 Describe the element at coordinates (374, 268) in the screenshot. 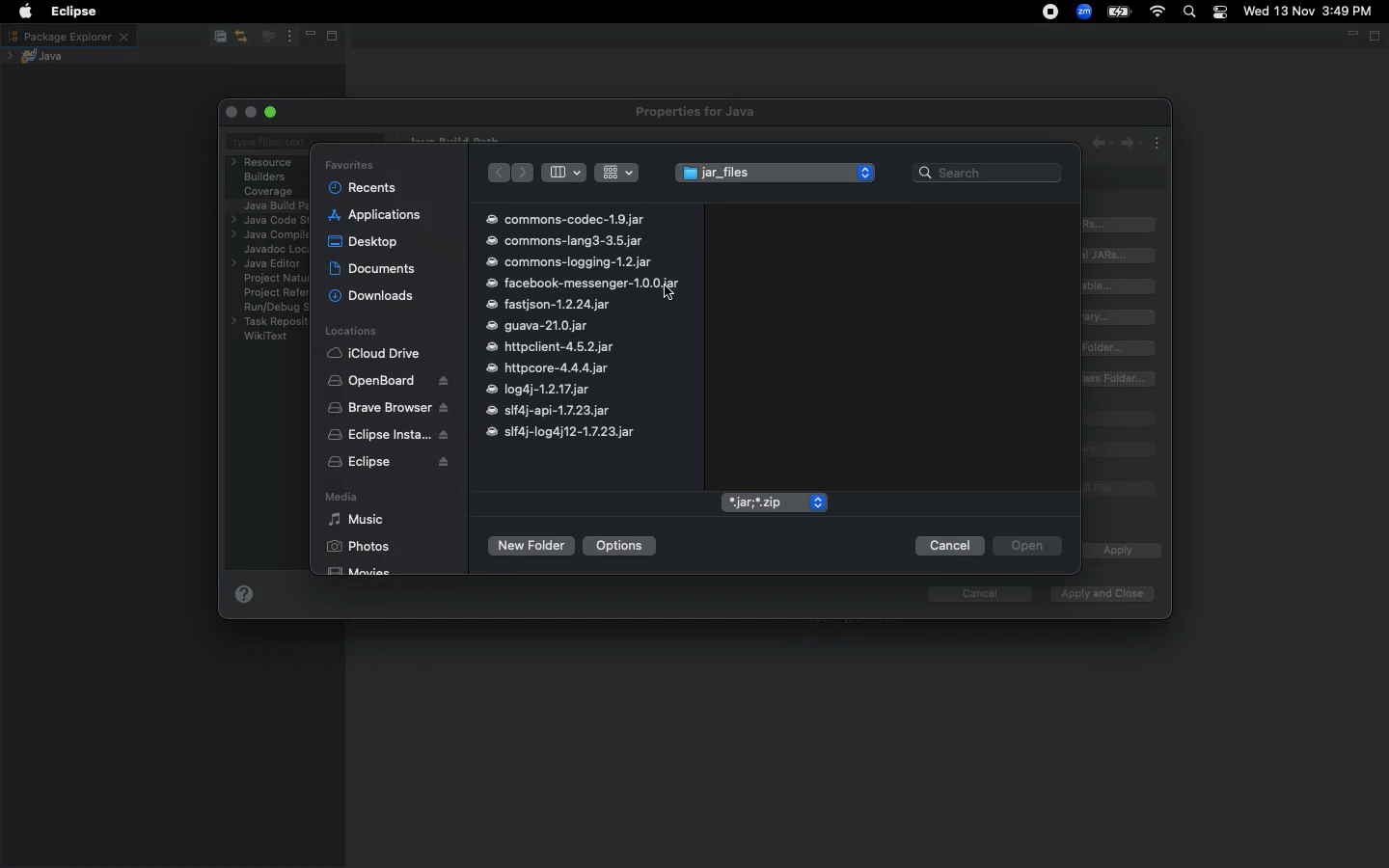

I see `Documents` at that location.